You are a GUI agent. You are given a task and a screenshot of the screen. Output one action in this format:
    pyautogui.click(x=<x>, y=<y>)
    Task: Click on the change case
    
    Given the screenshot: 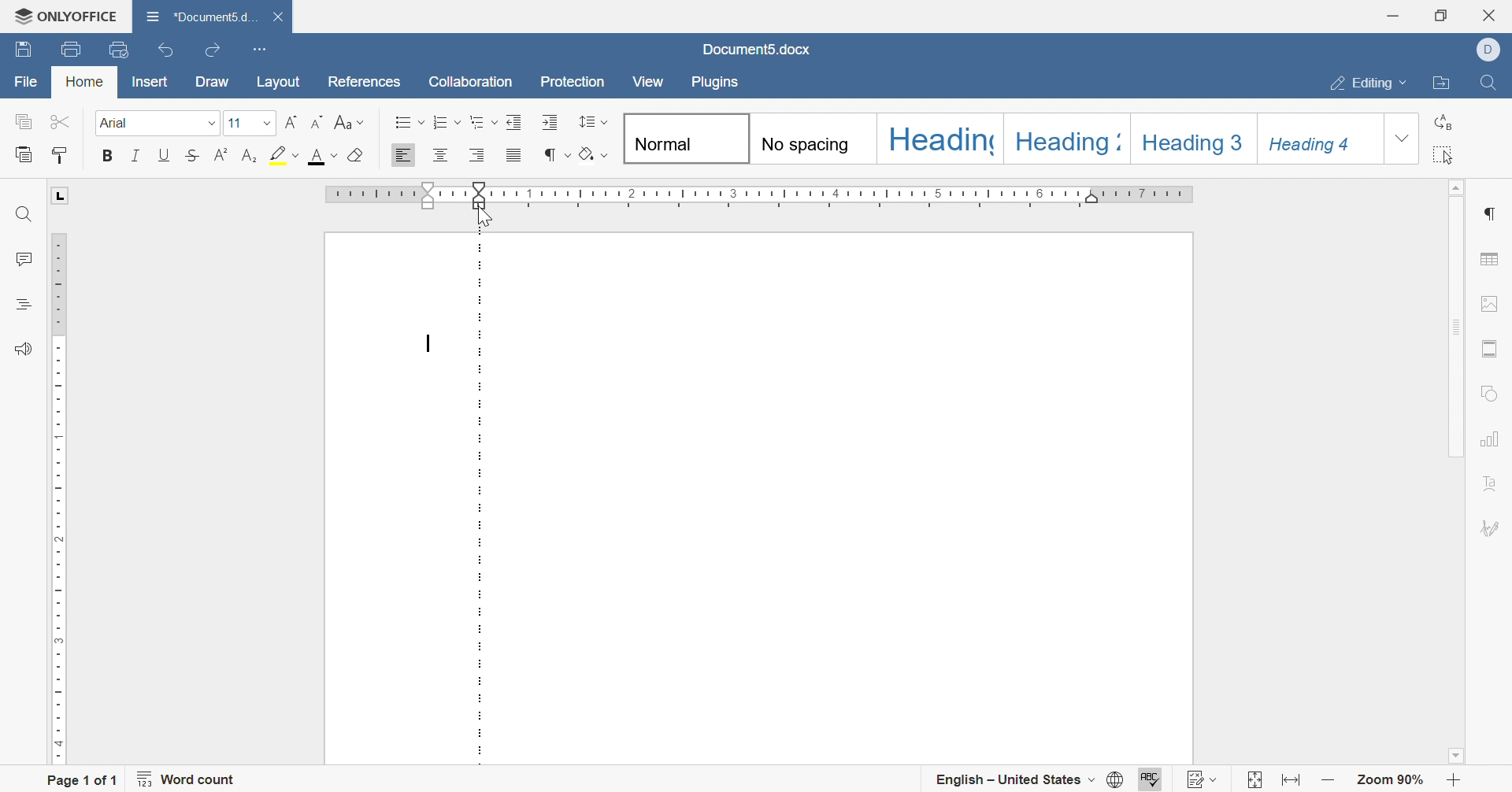 What is the action you would take?
    pyautogui.click(x=349, y=121)
    